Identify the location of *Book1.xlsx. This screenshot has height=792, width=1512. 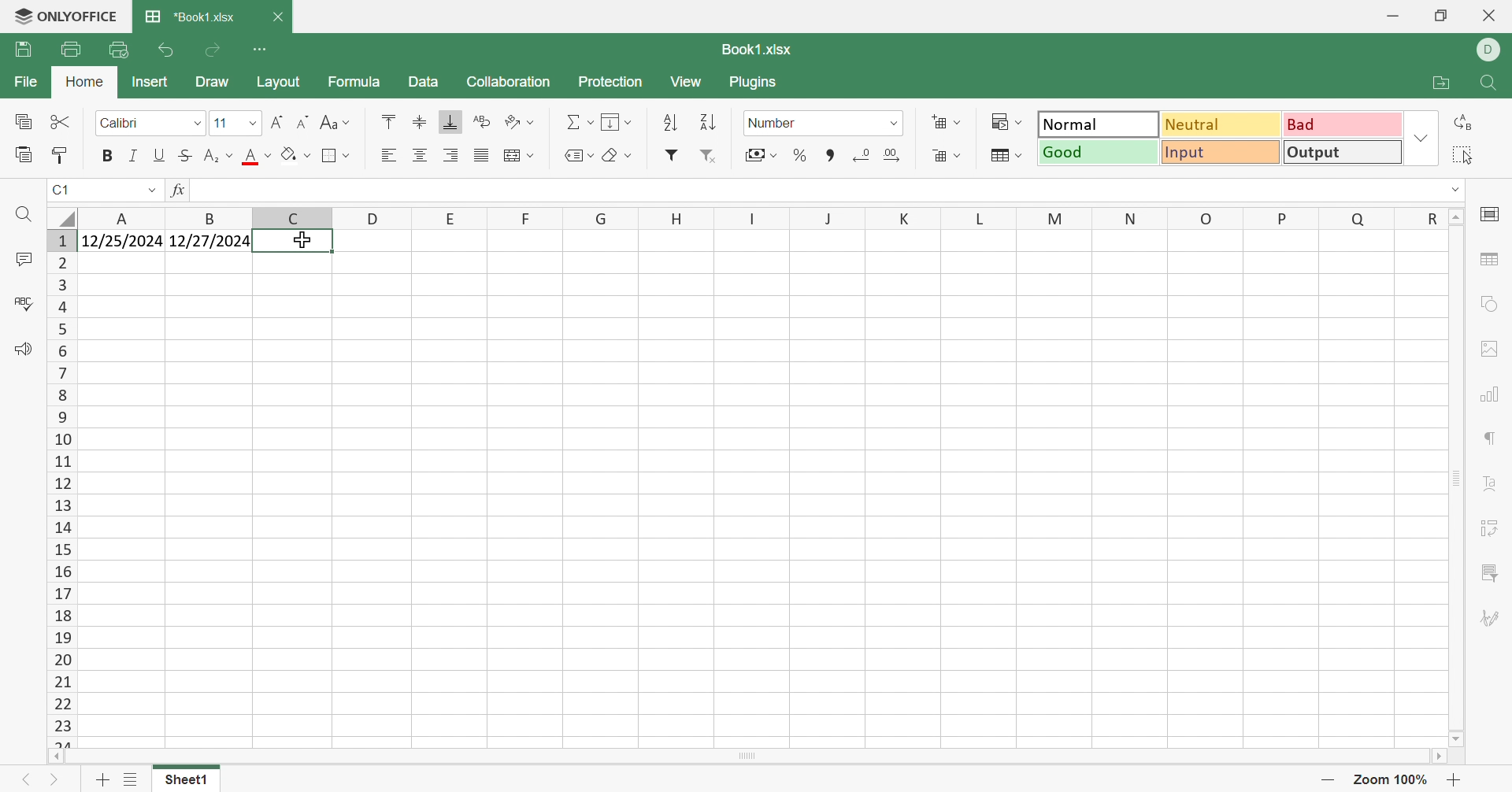
(193, 16).